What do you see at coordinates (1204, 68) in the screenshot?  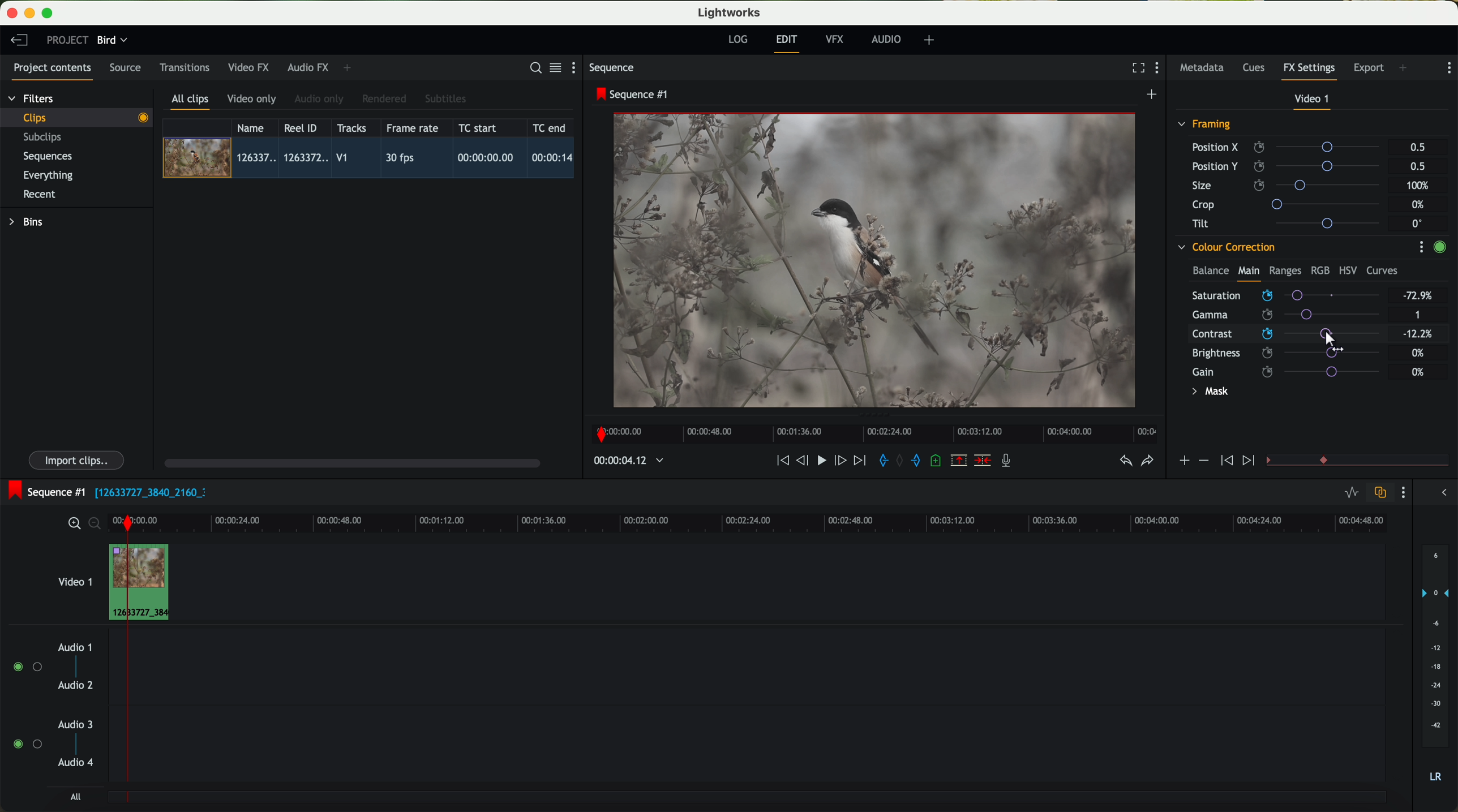 I see `metadata` at bounding box center [1204, 68].